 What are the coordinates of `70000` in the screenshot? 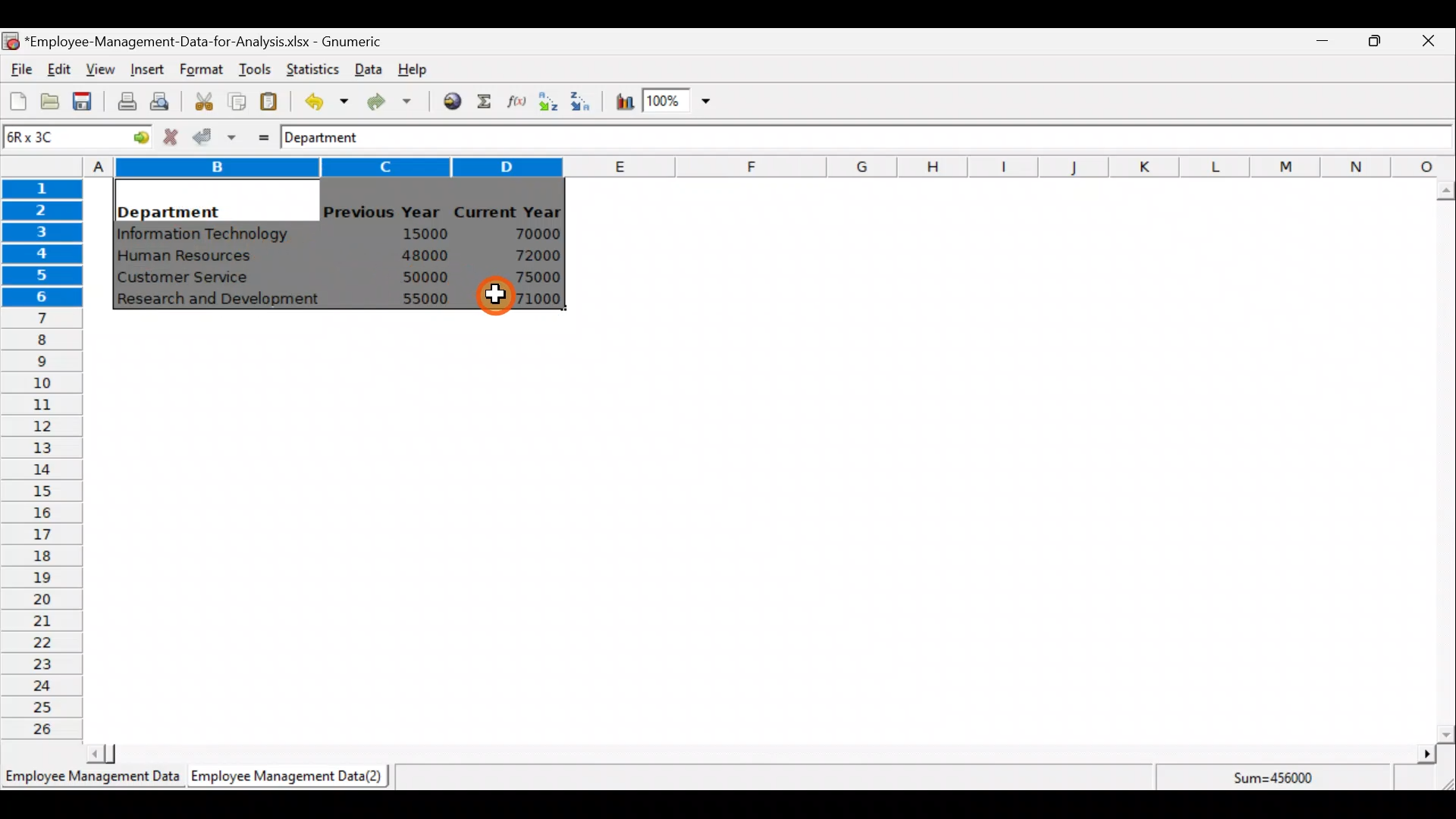 It's located at (532, 234).